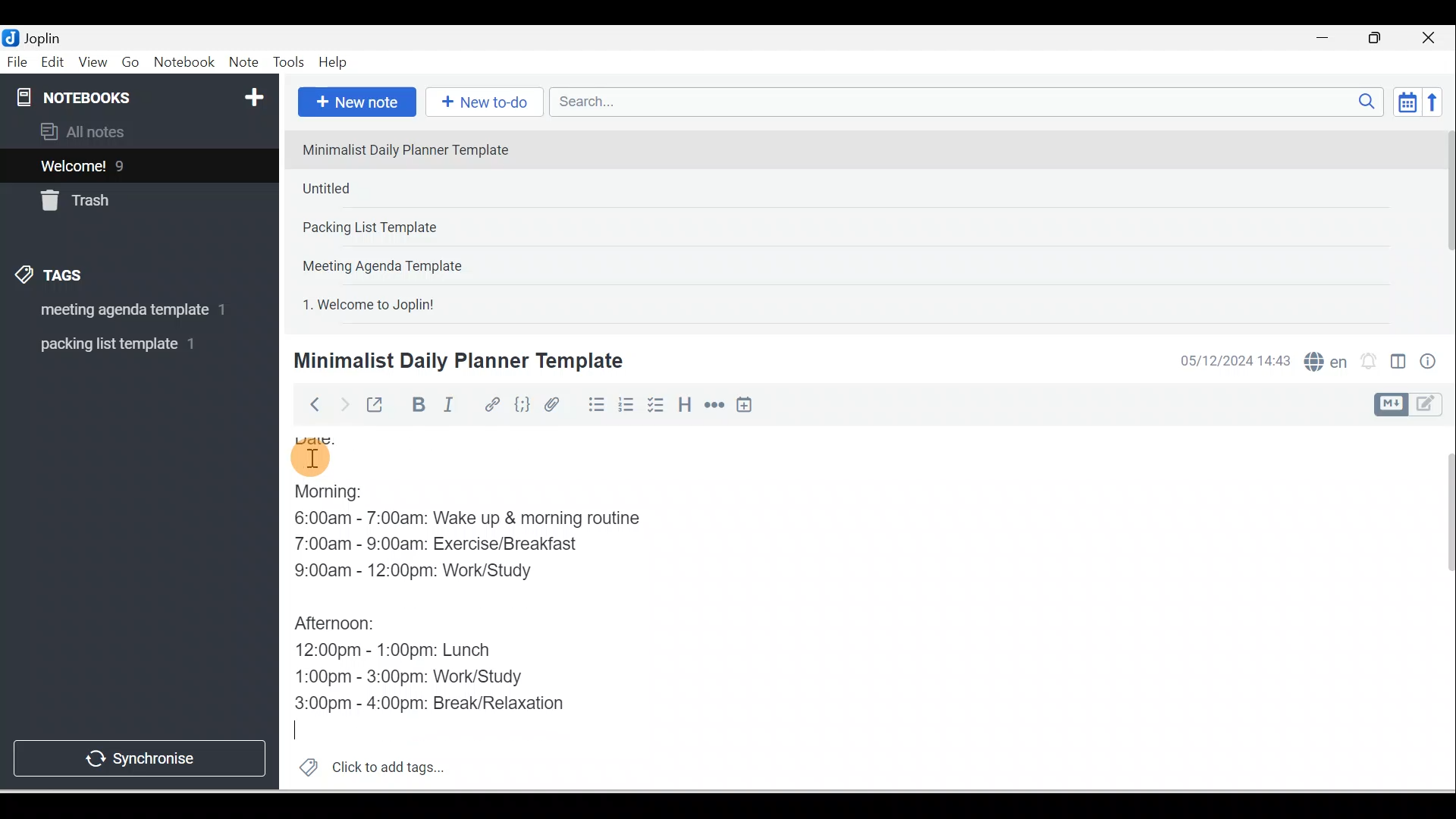  What do you see at coordinates (344, 626) in the screenshot?
I see `Afternoon:` at bounding box center [344, 626].